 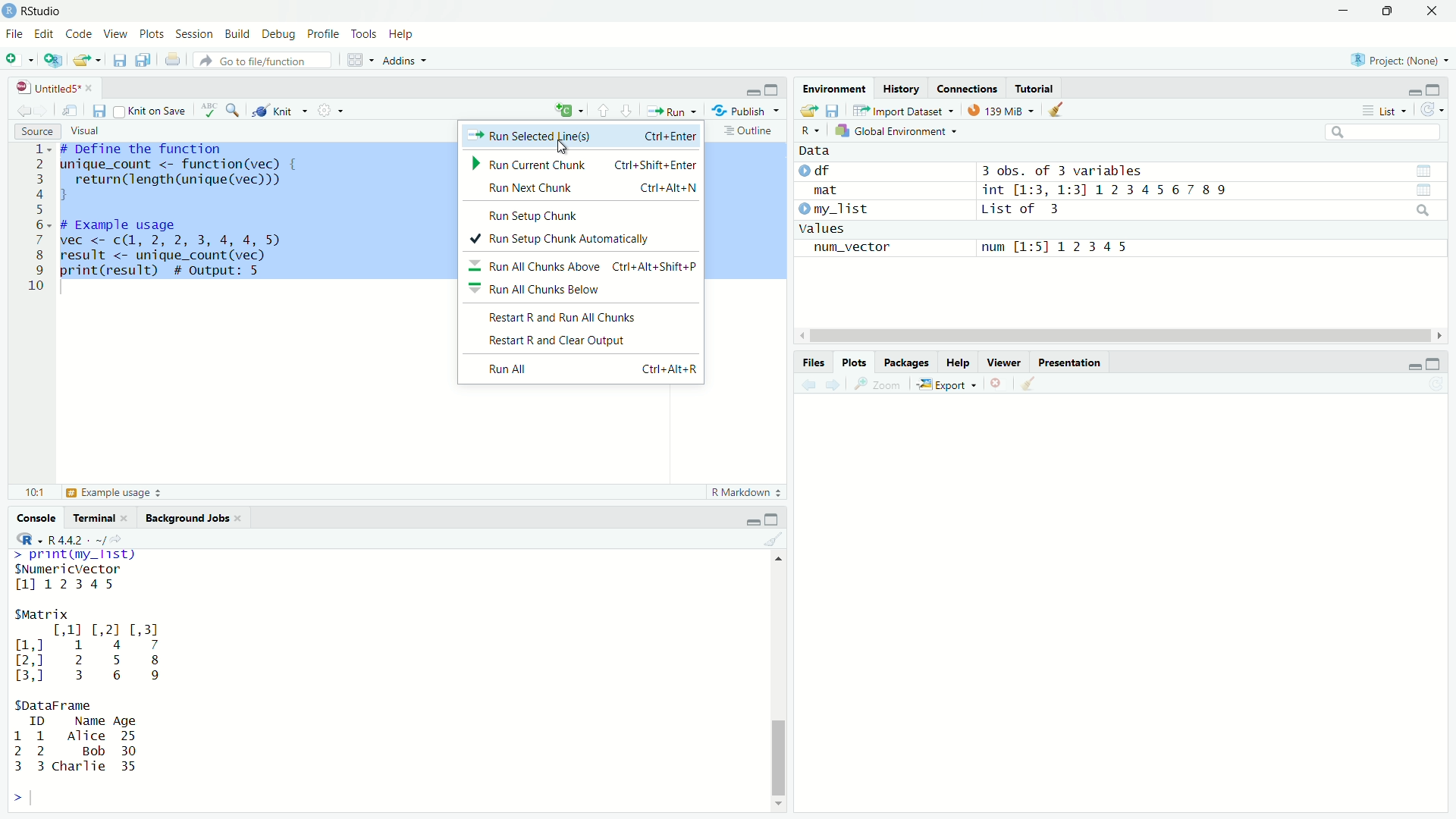 What do you see at coordinates (42, 110) in the screenshot?
I see `forward` at bounding box center [42, 110].